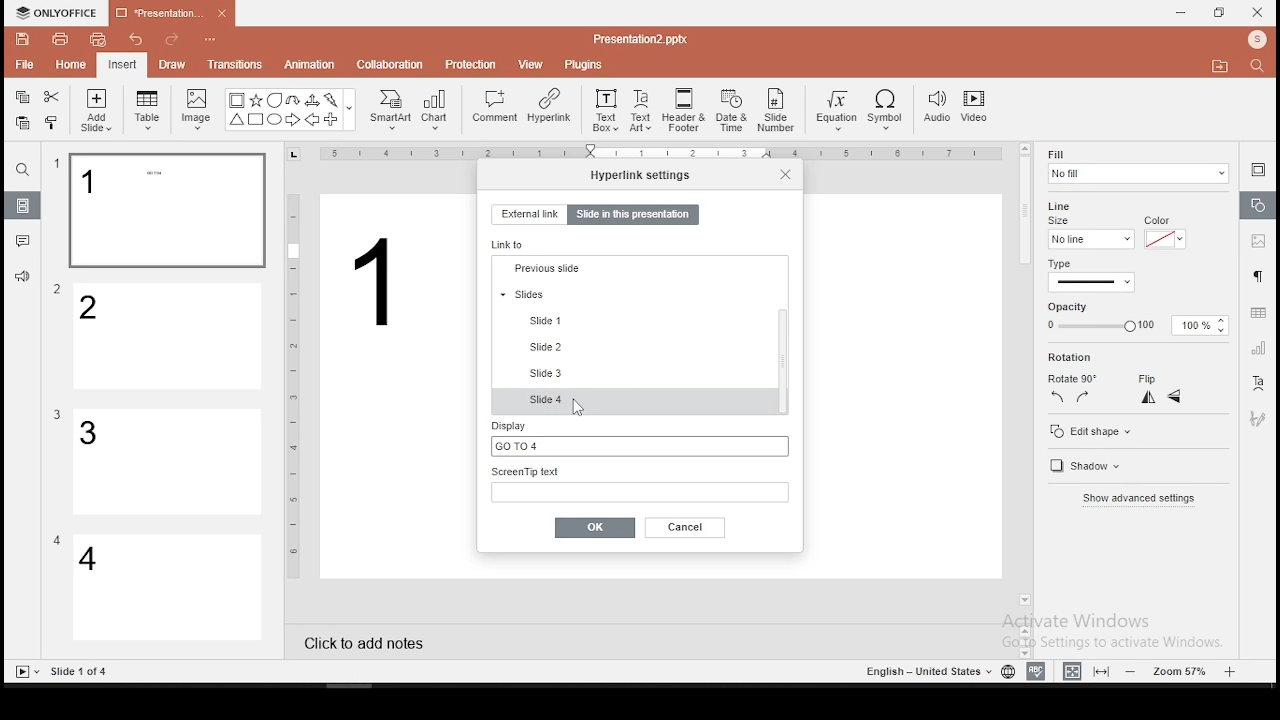  What do you see at coordinates (1163, 238) in the screenshot?
I see `line color` at bounding box center [1163, 238].